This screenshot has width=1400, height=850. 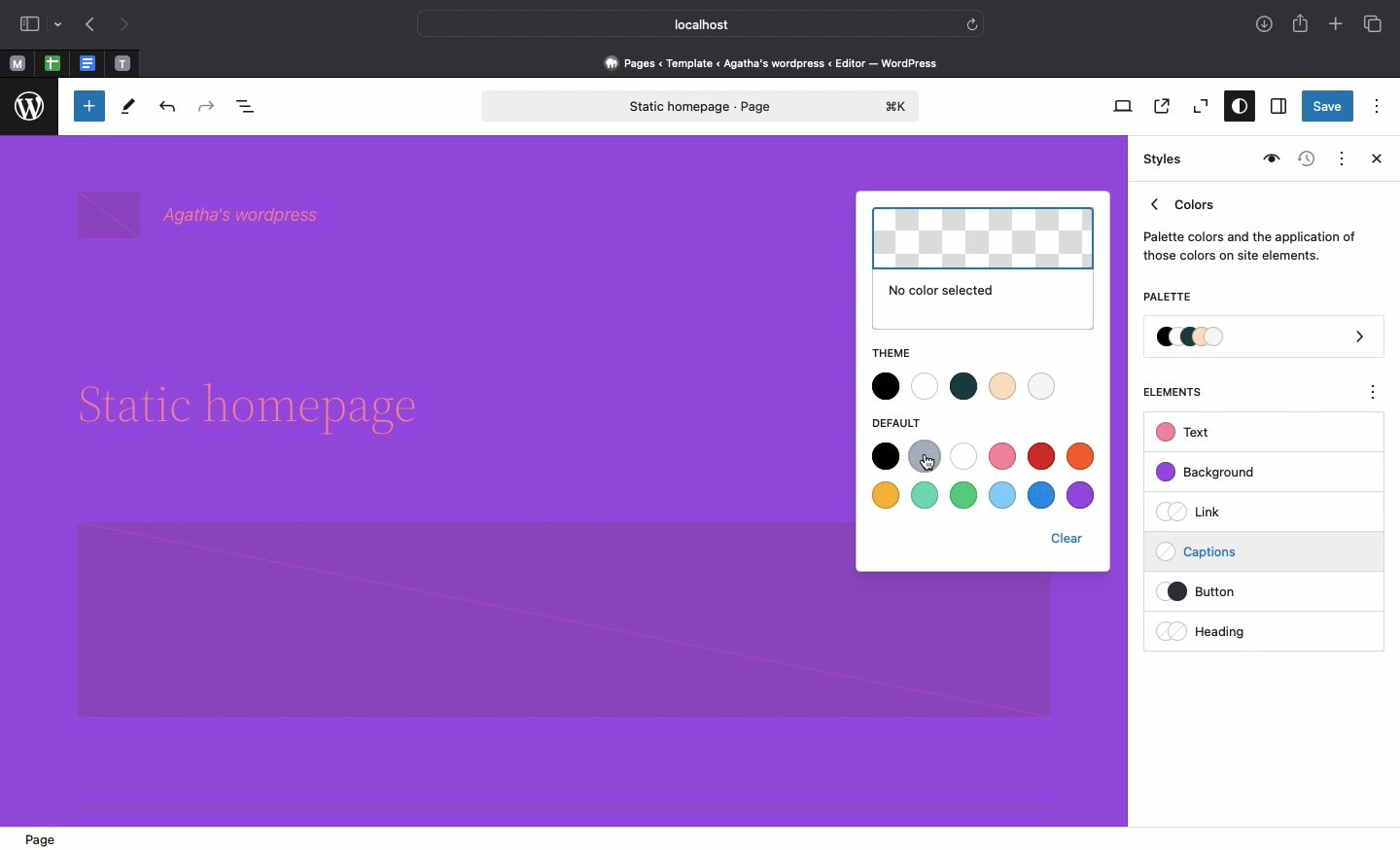 I want to click on Styles, so click(x=1235, y=108).